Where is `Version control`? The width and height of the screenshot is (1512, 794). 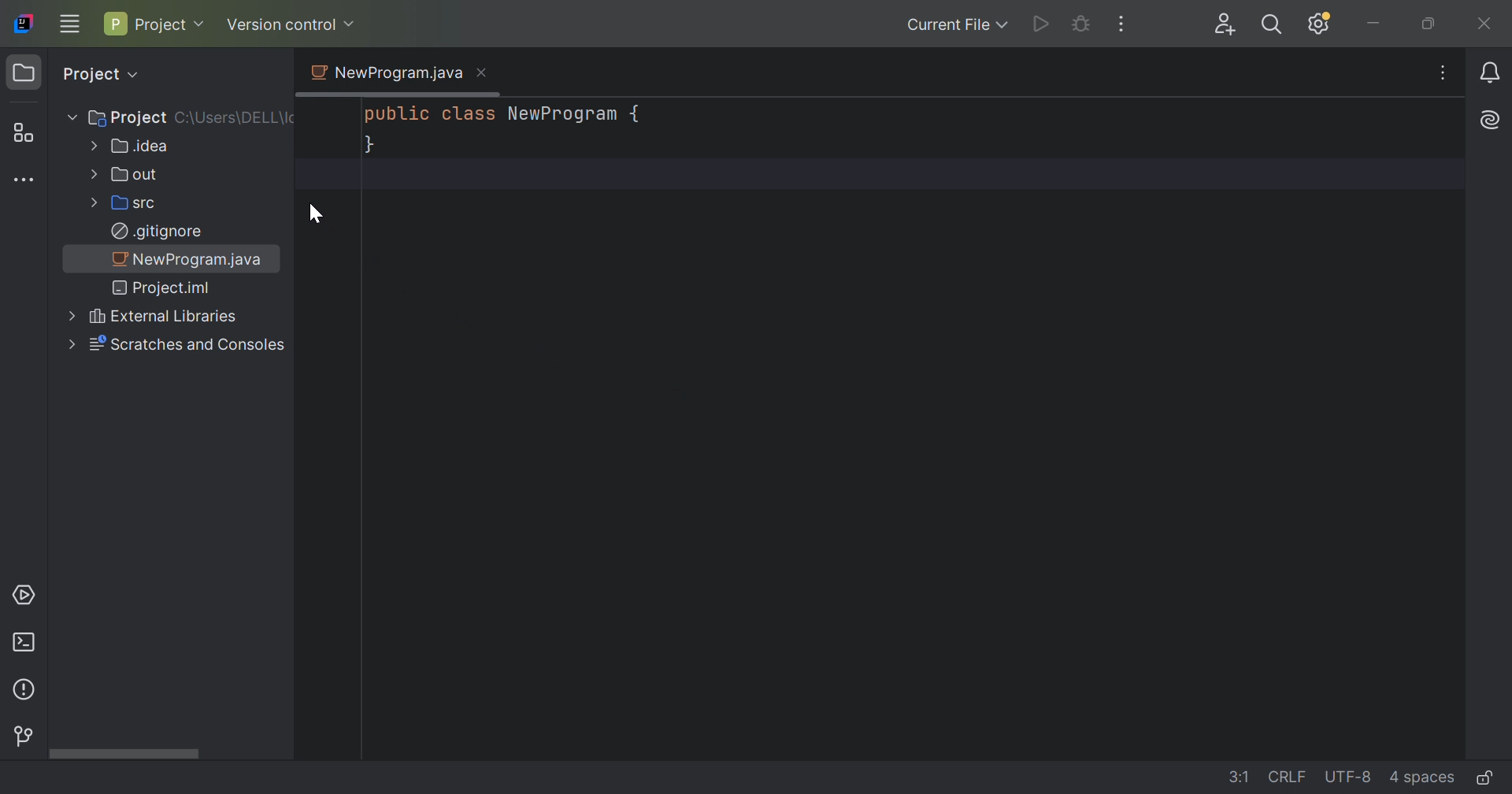
Version control is located at coordinates (281, 24).